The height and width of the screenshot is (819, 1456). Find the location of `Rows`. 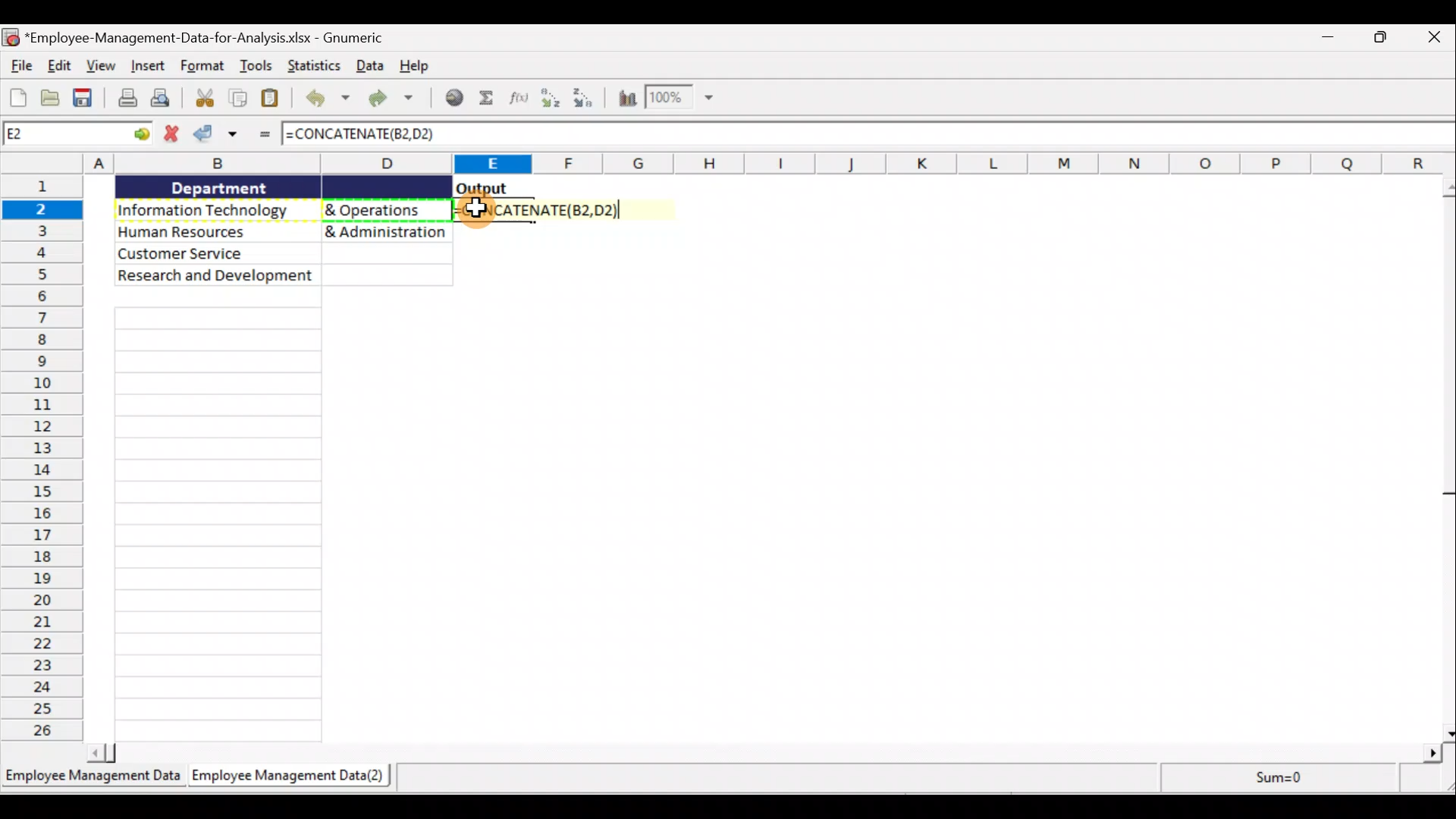

Rows is located at coordinates (45, 459).